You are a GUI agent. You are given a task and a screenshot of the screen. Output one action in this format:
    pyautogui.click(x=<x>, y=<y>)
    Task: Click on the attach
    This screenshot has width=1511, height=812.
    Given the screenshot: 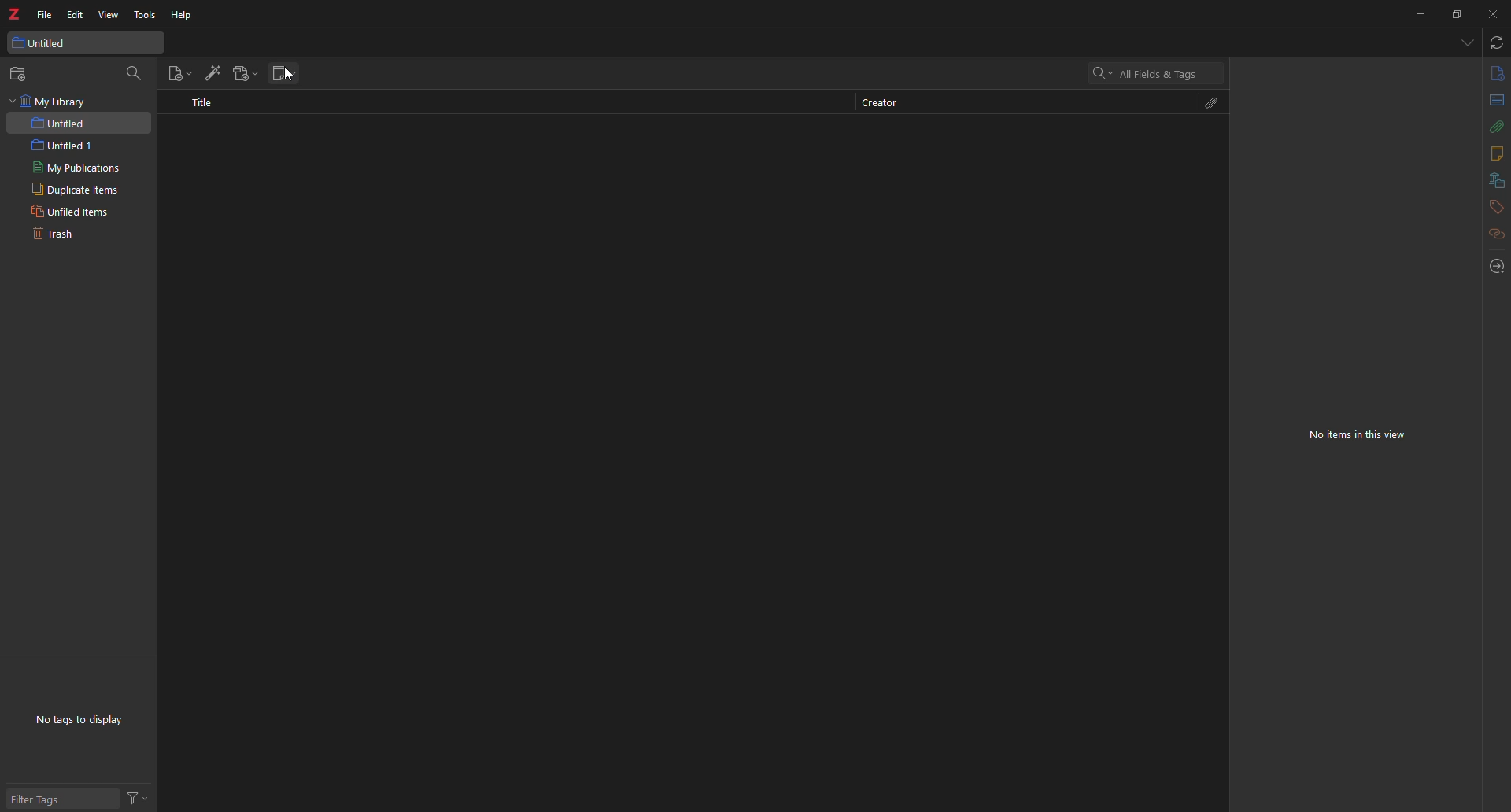 What is the action you would take?
    pyautogui.click(x=1212, y=102)
    